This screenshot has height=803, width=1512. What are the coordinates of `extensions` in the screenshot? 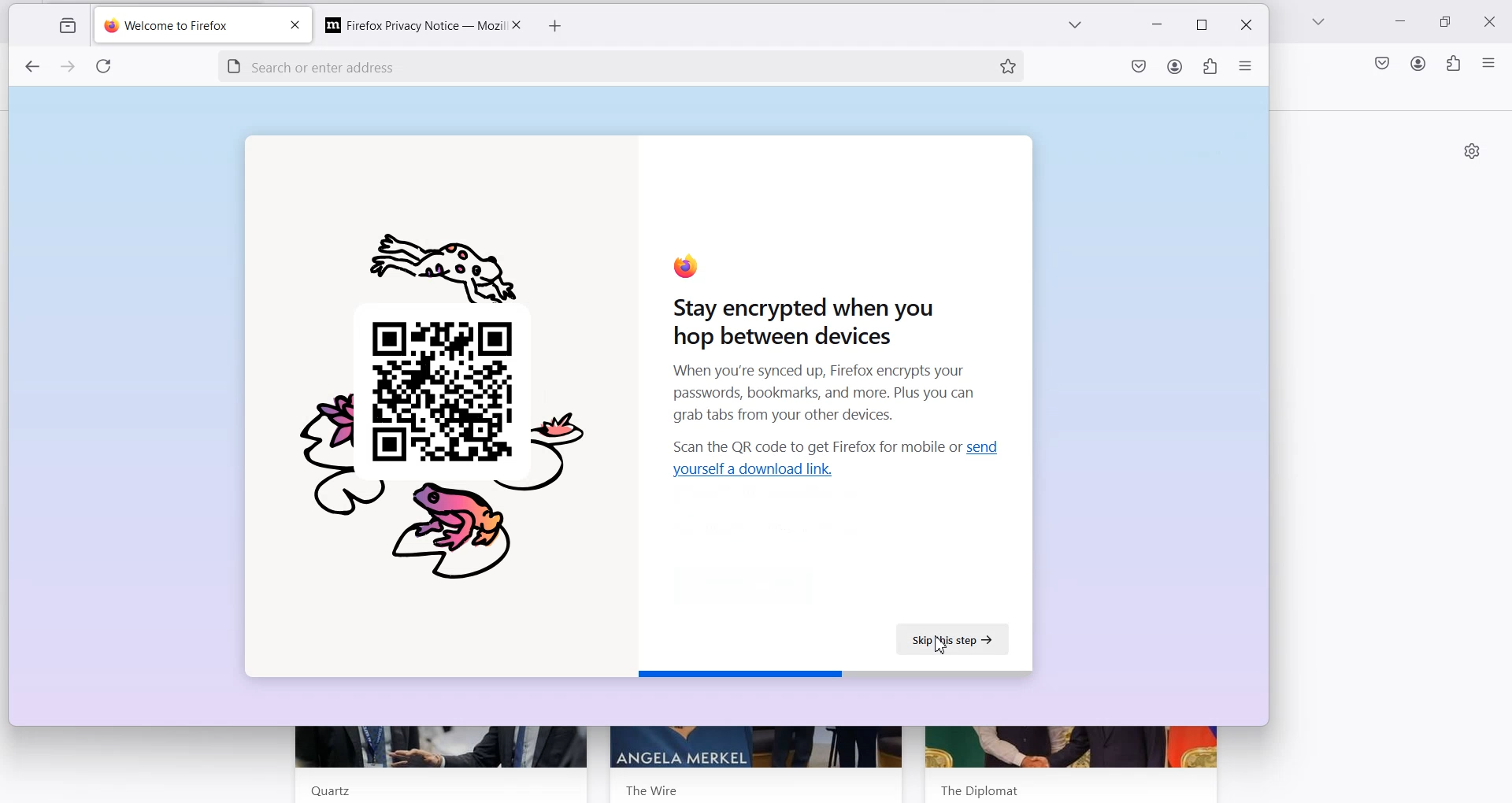 It's located at (1208, 69).